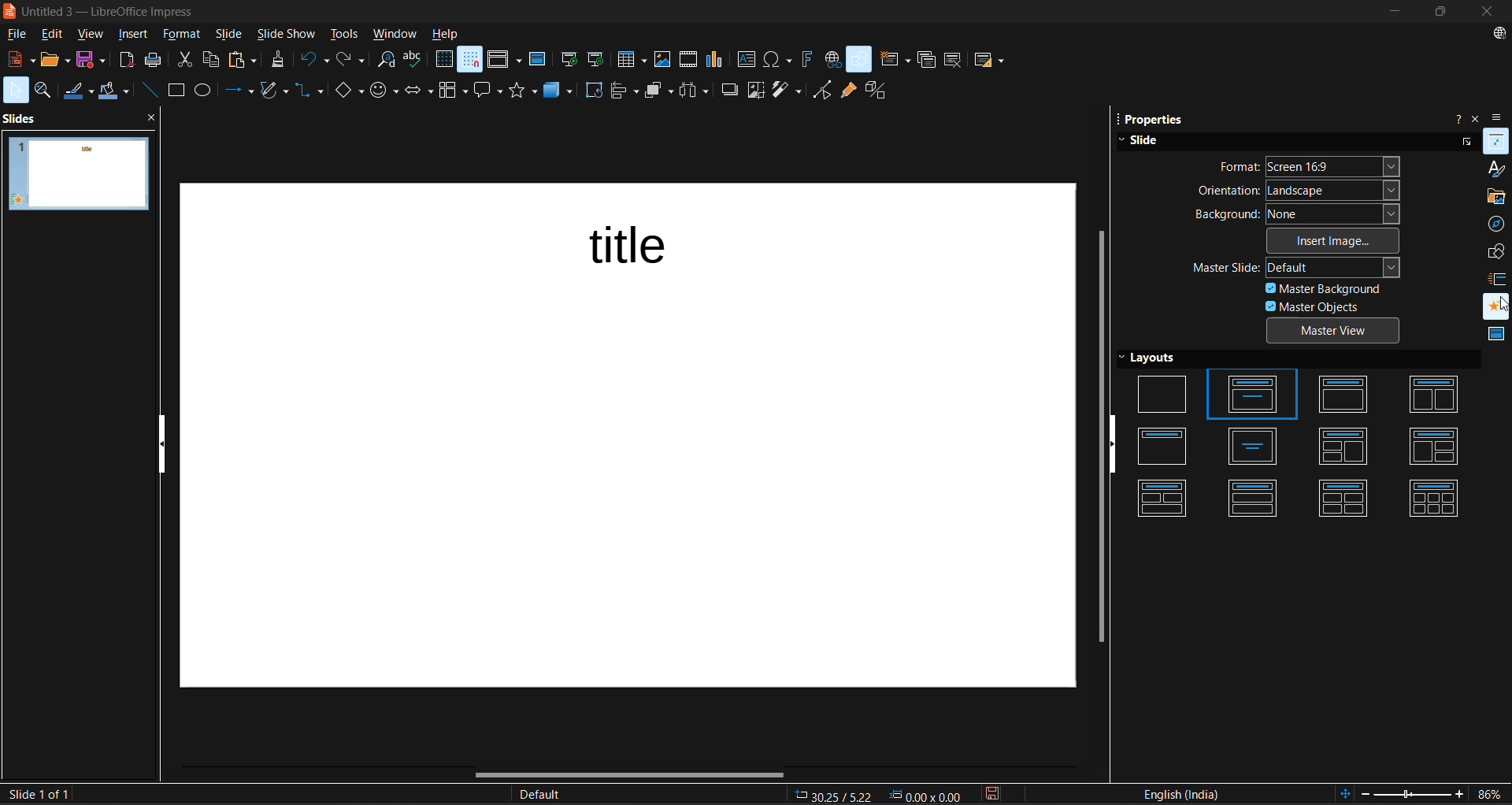 The image size is (1512, 805). I want to click on crop image, so click(757, 91).